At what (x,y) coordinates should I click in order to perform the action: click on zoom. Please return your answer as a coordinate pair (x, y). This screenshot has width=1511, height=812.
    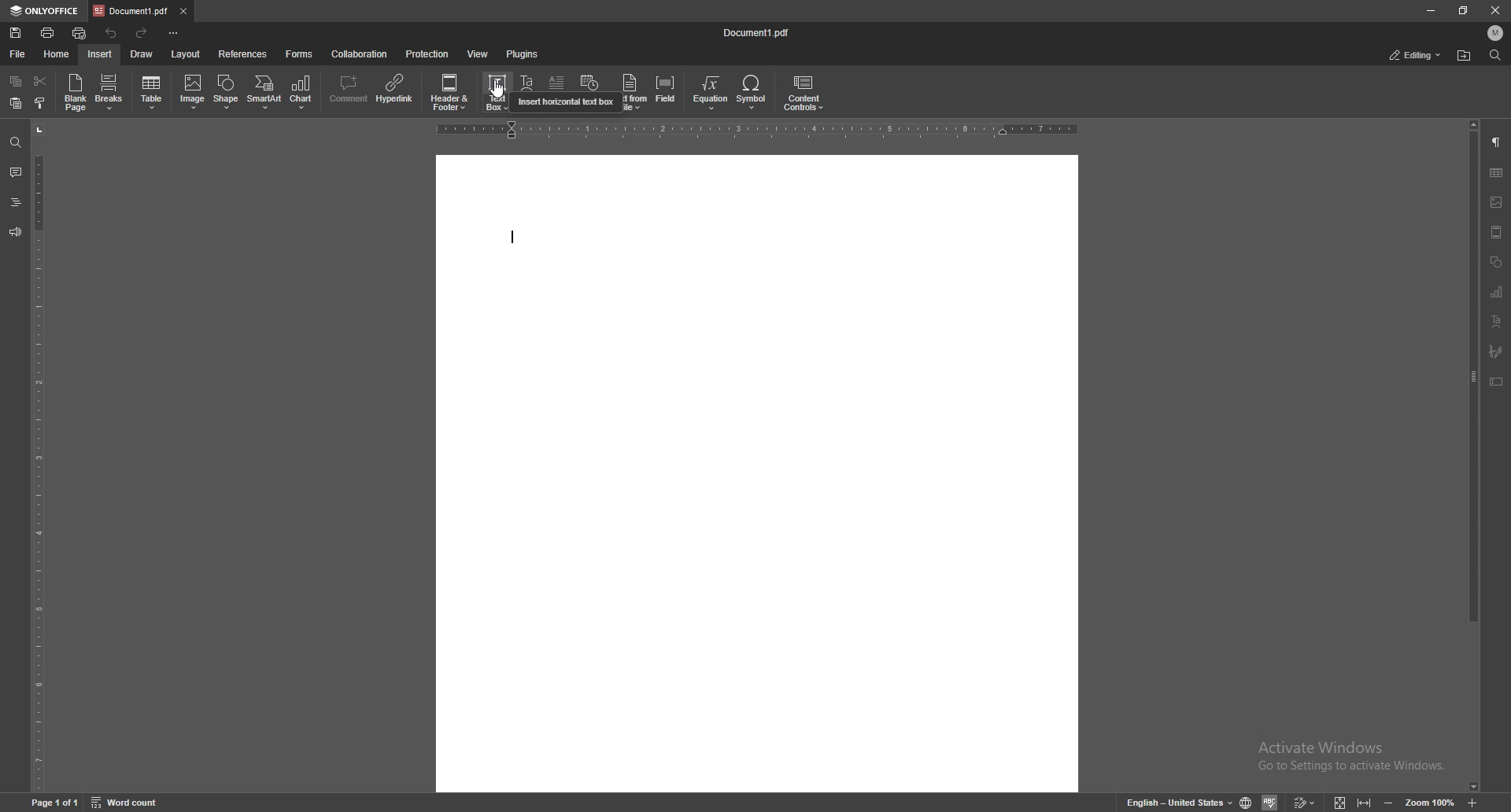
    Looking at the image, I should click on (1430, 803).